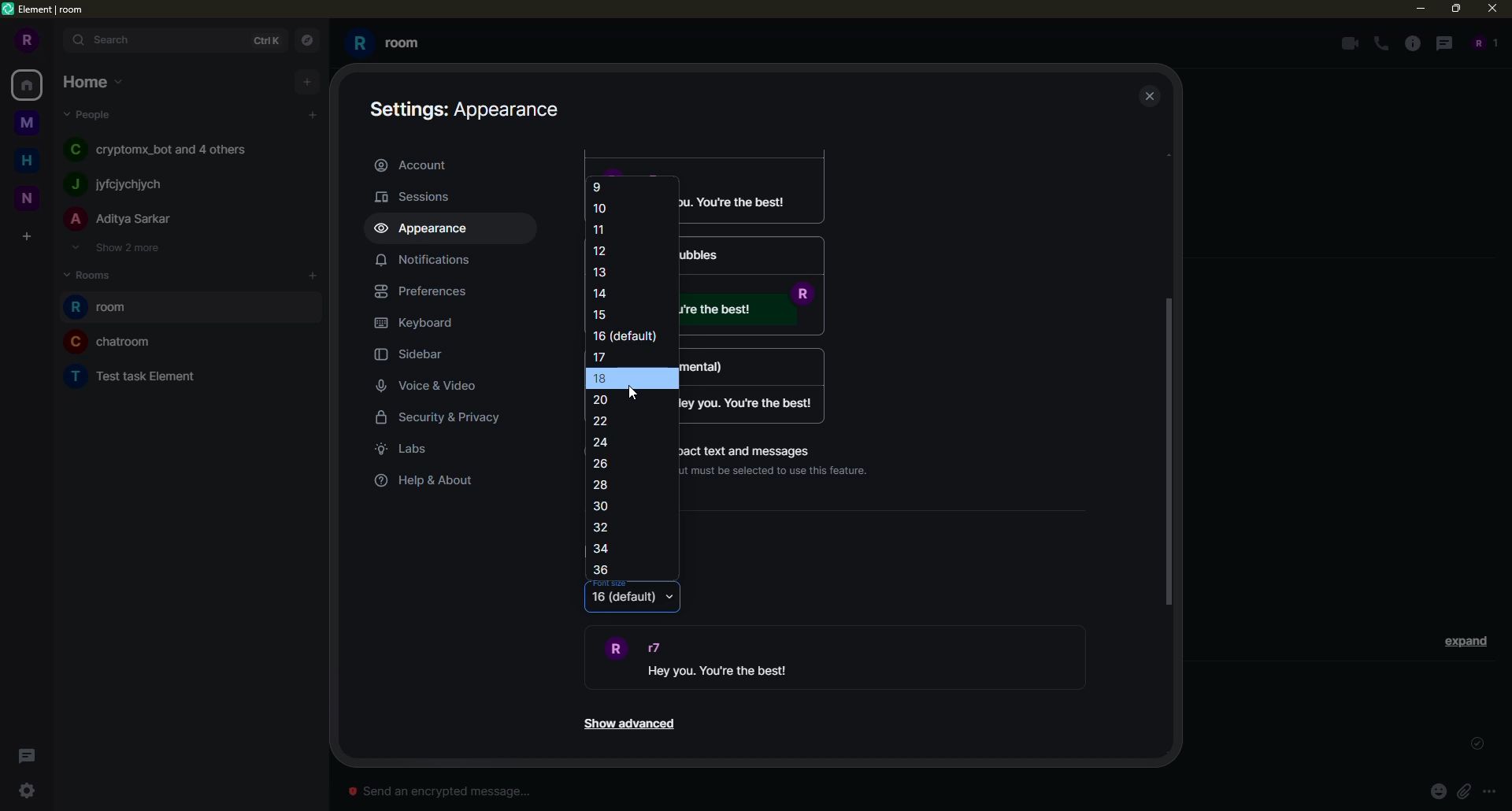 This screenshot has width=1512, height=811. Describe the element at coordinates (610, 583) in the screenshot. I see `font size` at that location.